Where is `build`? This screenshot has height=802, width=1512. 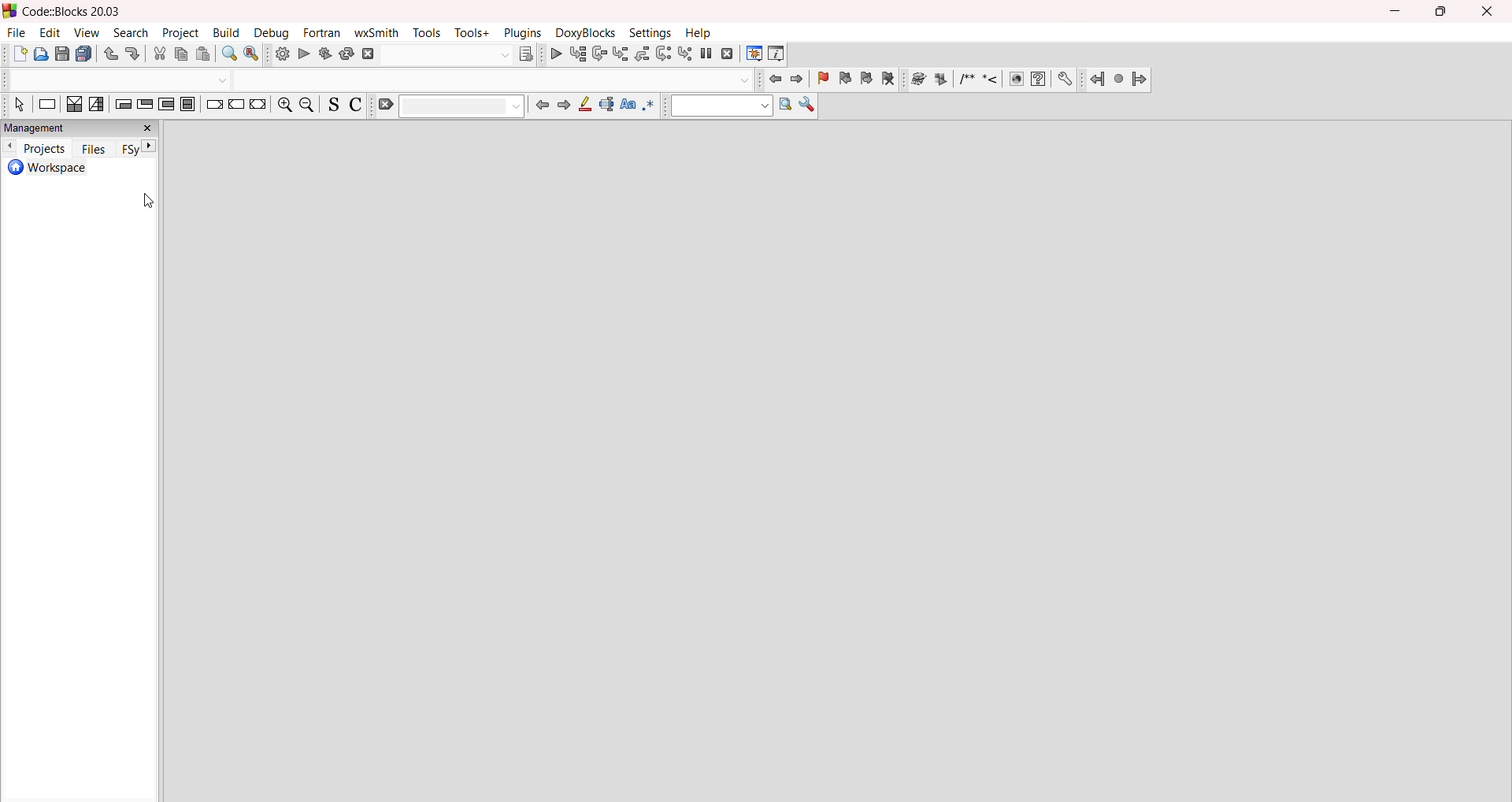
build is located at coordinates (280, 56).